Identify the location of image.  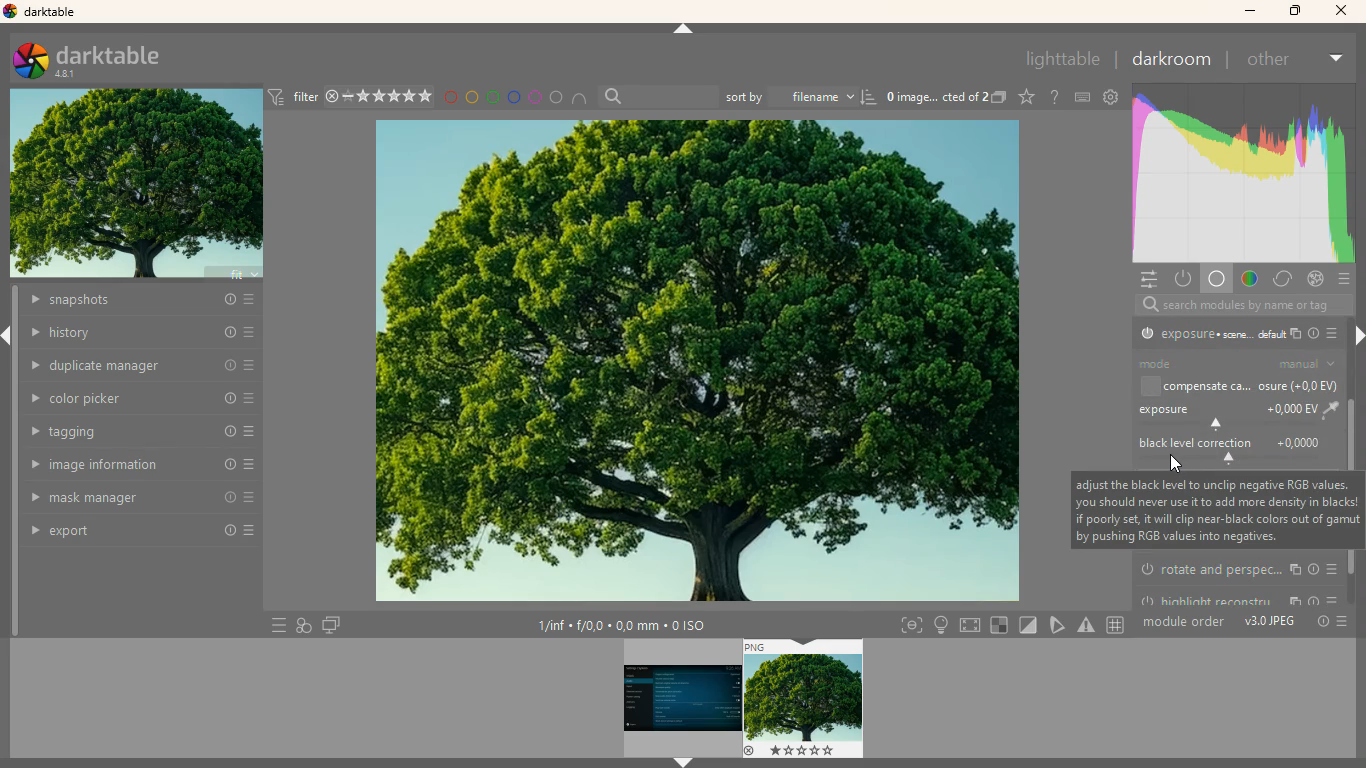
(682, 698).